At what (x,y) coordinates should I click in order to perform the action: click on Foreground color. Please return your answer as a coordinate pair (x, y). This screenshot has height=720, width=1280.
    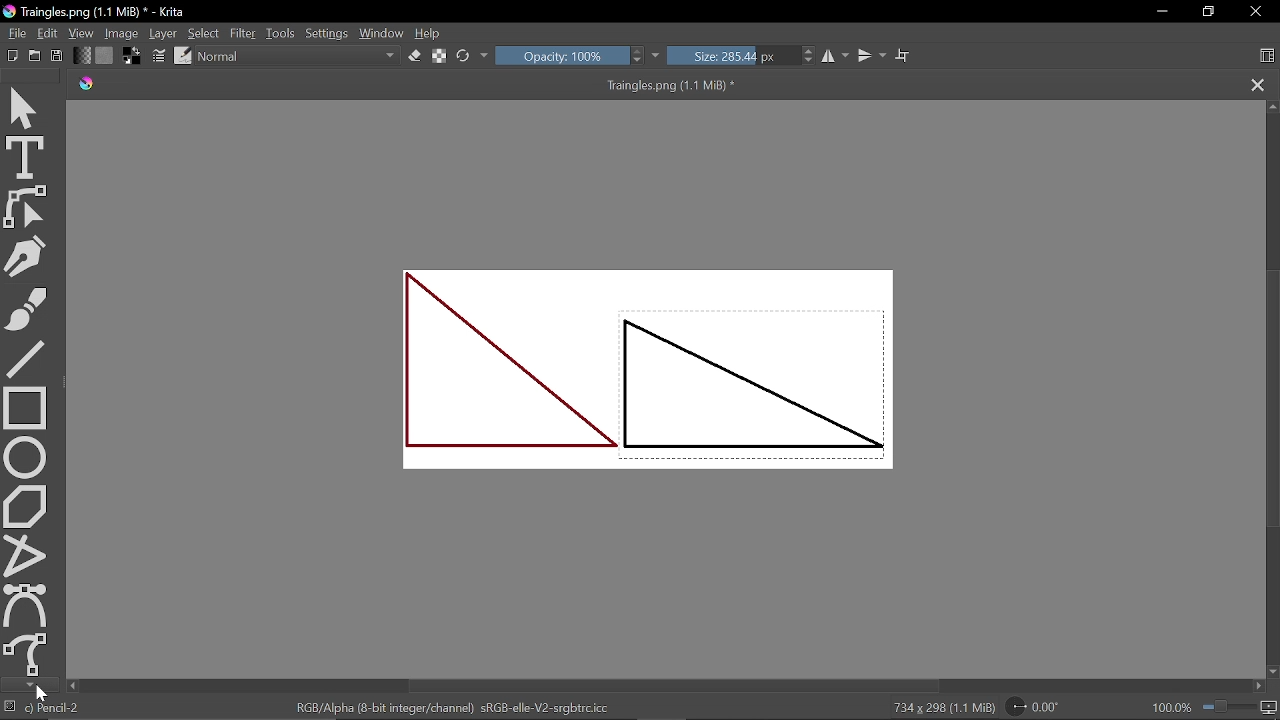
    Looking at the image, I should click on (134, 55).